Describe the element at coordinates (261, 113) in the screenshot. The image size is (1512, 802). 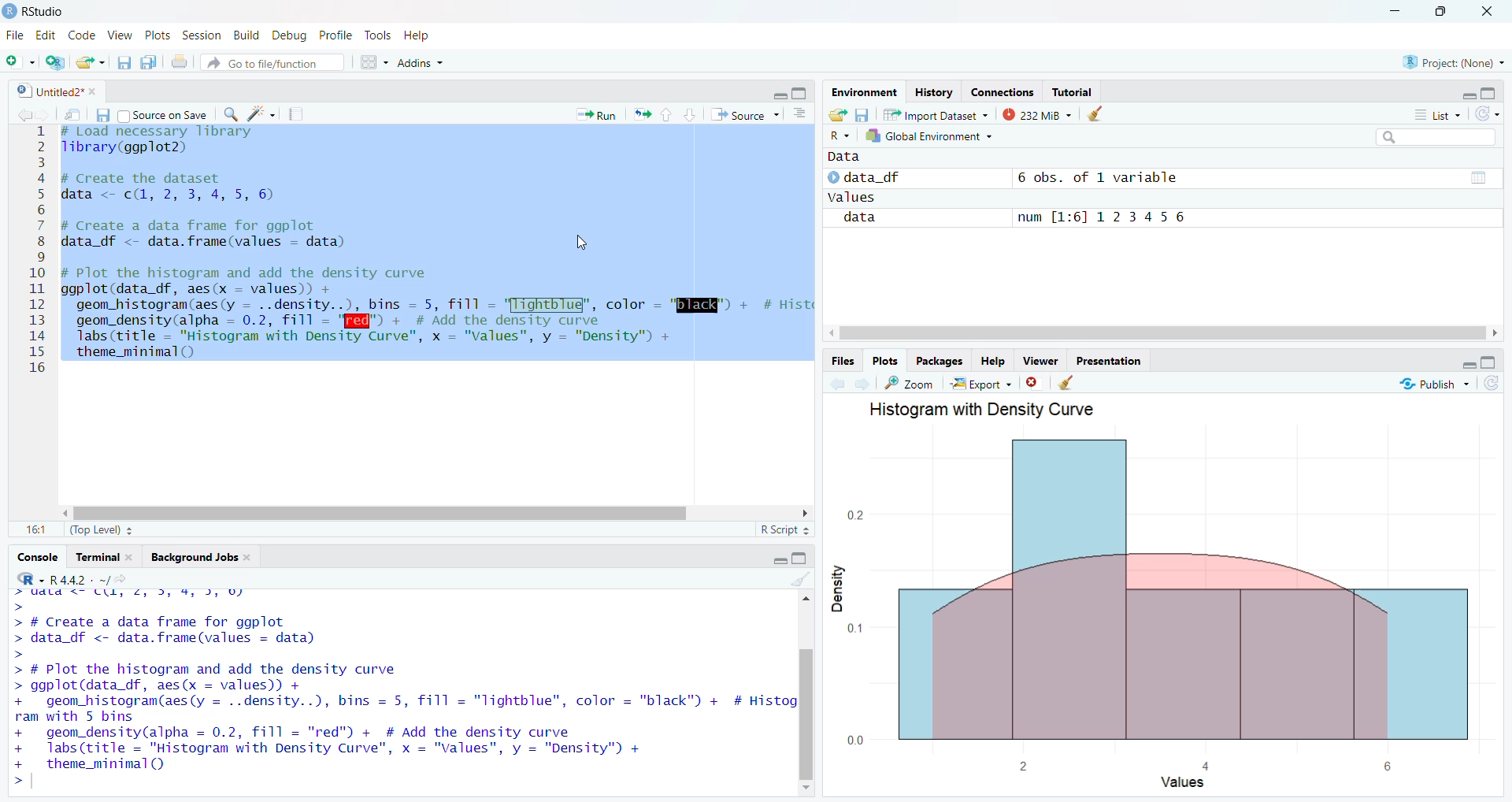
I see `code tools` at that location.